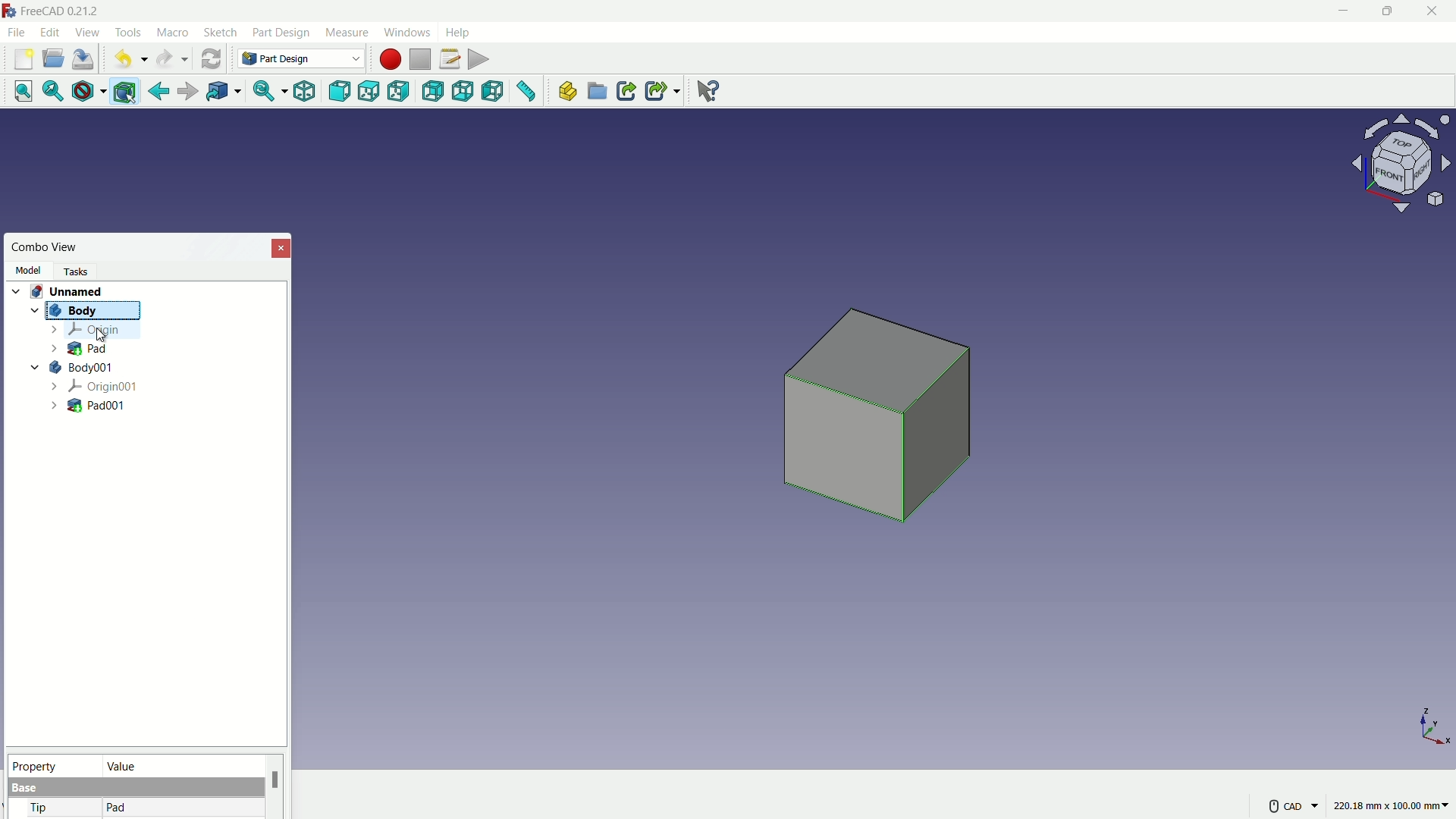 The width and height of the screenshot is (1456, 819). What do you see at coordinates (27, 270) in the screenshot?
I see `model` at bounding box center [27, 270].